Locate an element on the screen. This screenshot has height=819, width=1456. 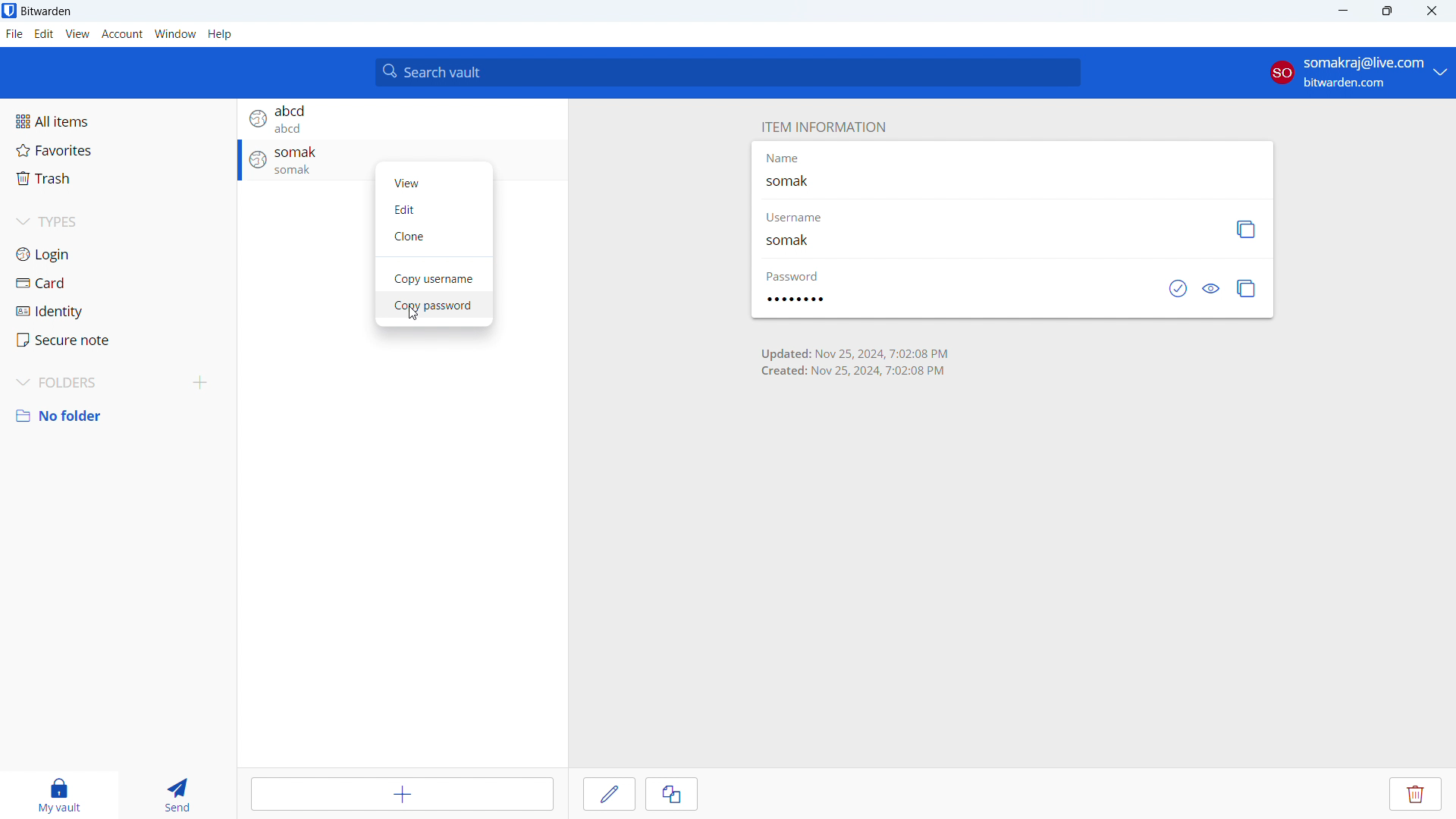
clone is located at coordinates (435, 234).